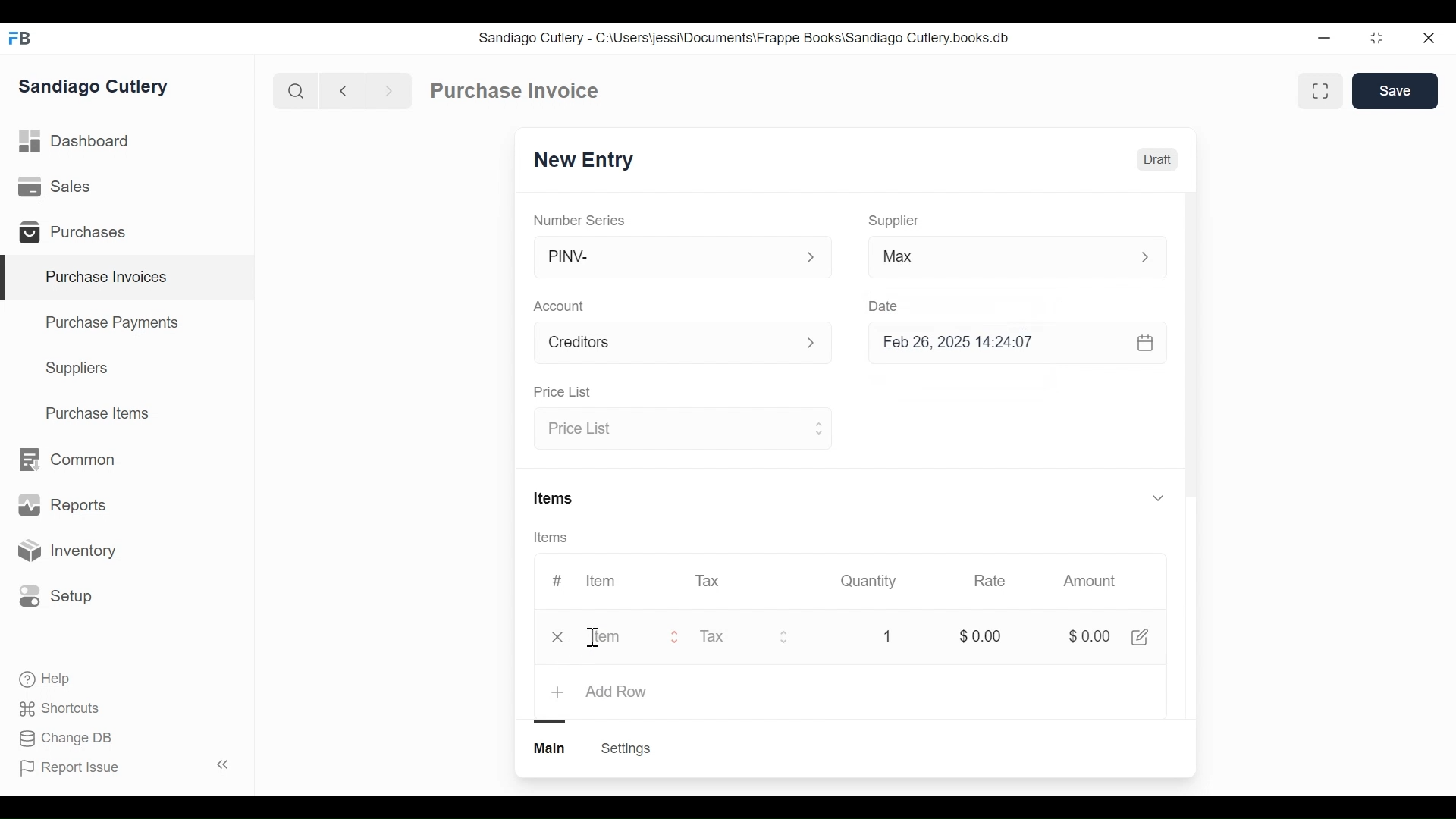 The image size is (1456, 819). Describe the element at coordinates (625, 748) in the screenshot. I see `Settings` at that location.